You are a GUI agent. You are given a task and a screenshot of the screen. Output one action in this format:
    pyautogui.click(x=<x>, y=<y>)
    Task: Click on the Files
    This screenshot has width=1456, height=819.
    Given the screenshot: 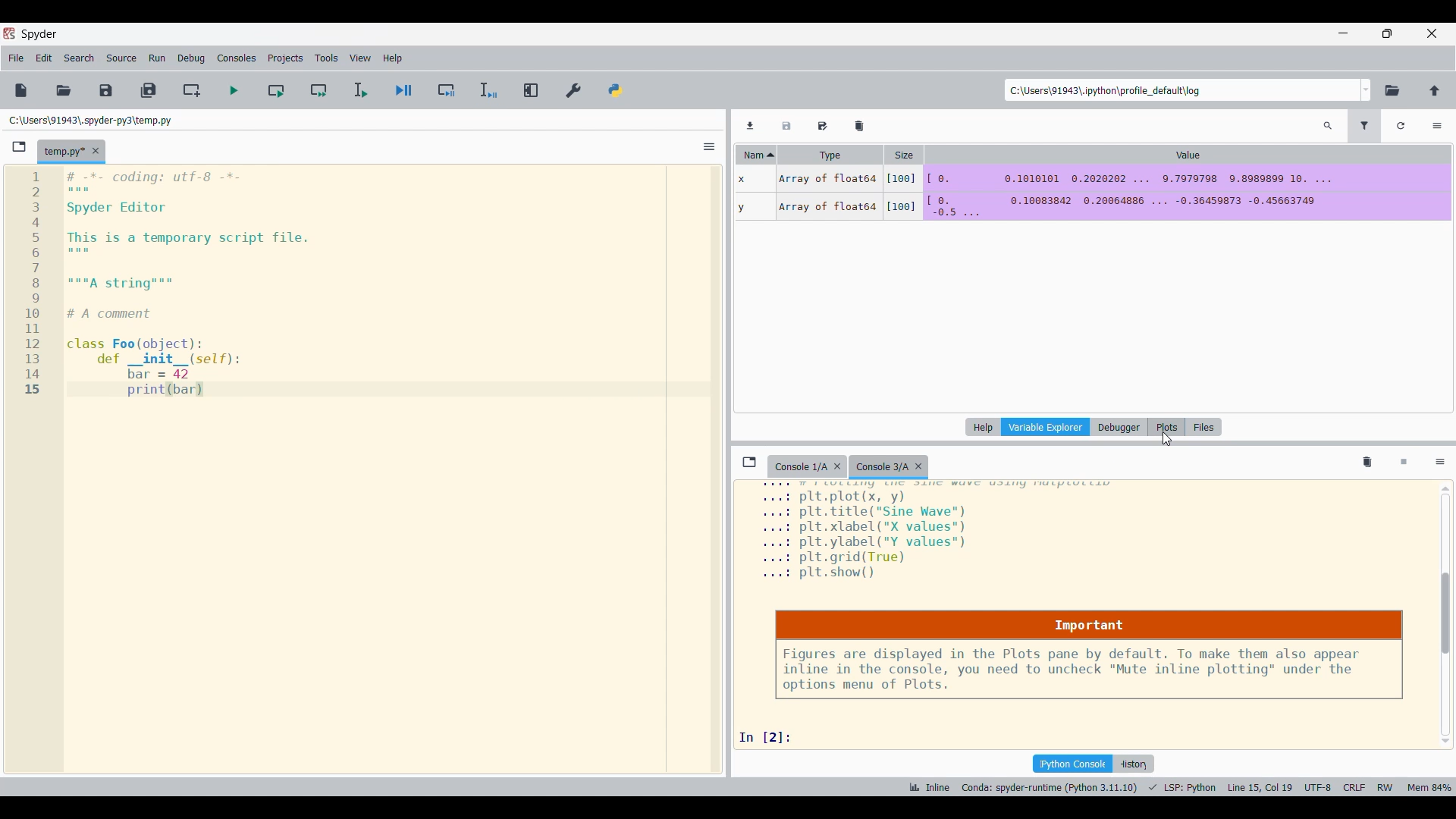 What is the action you would take?
    pyautogui.click(x=1204, y=427)
    